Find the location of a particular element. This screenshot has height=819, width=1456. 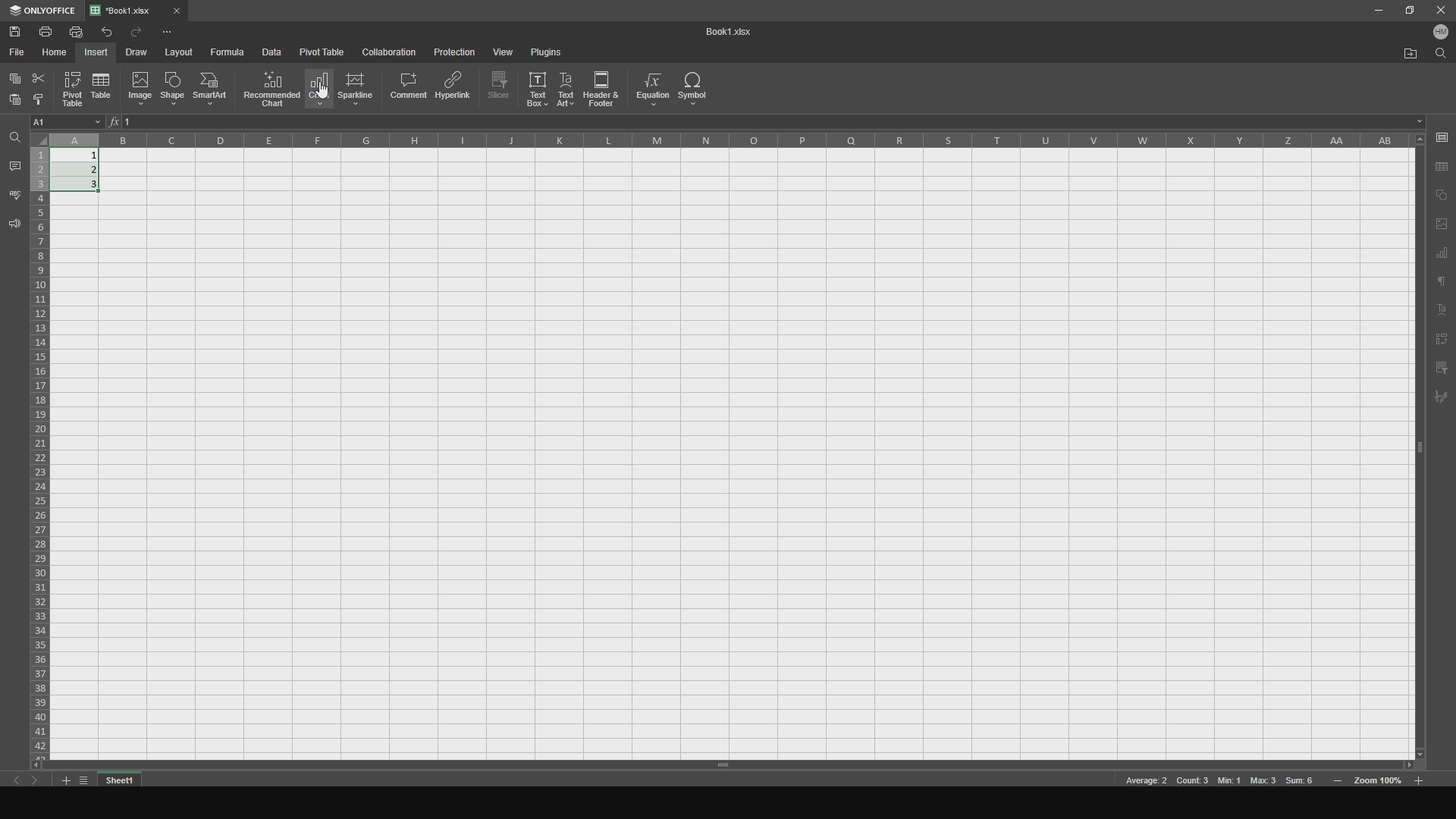

copy is located at coordinates (14, 76).